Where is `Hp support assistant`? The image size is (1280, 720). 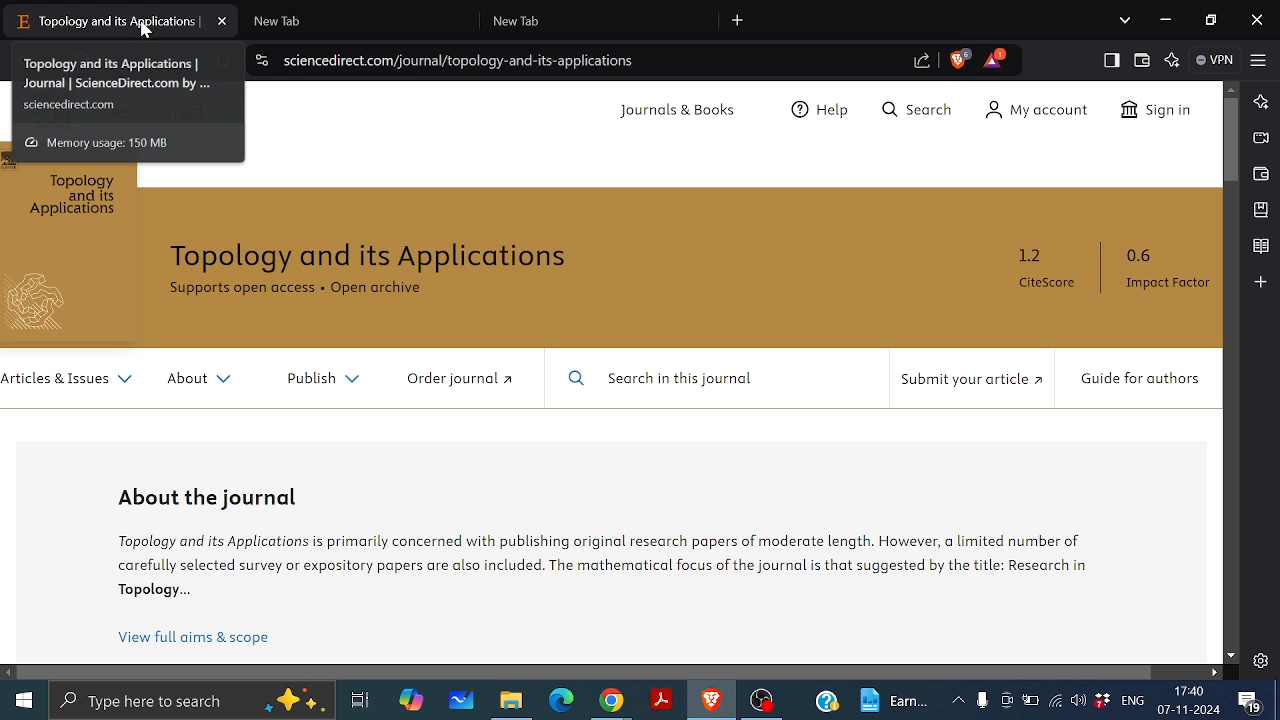
Hp support assistant is located at coordinates (827, 703).